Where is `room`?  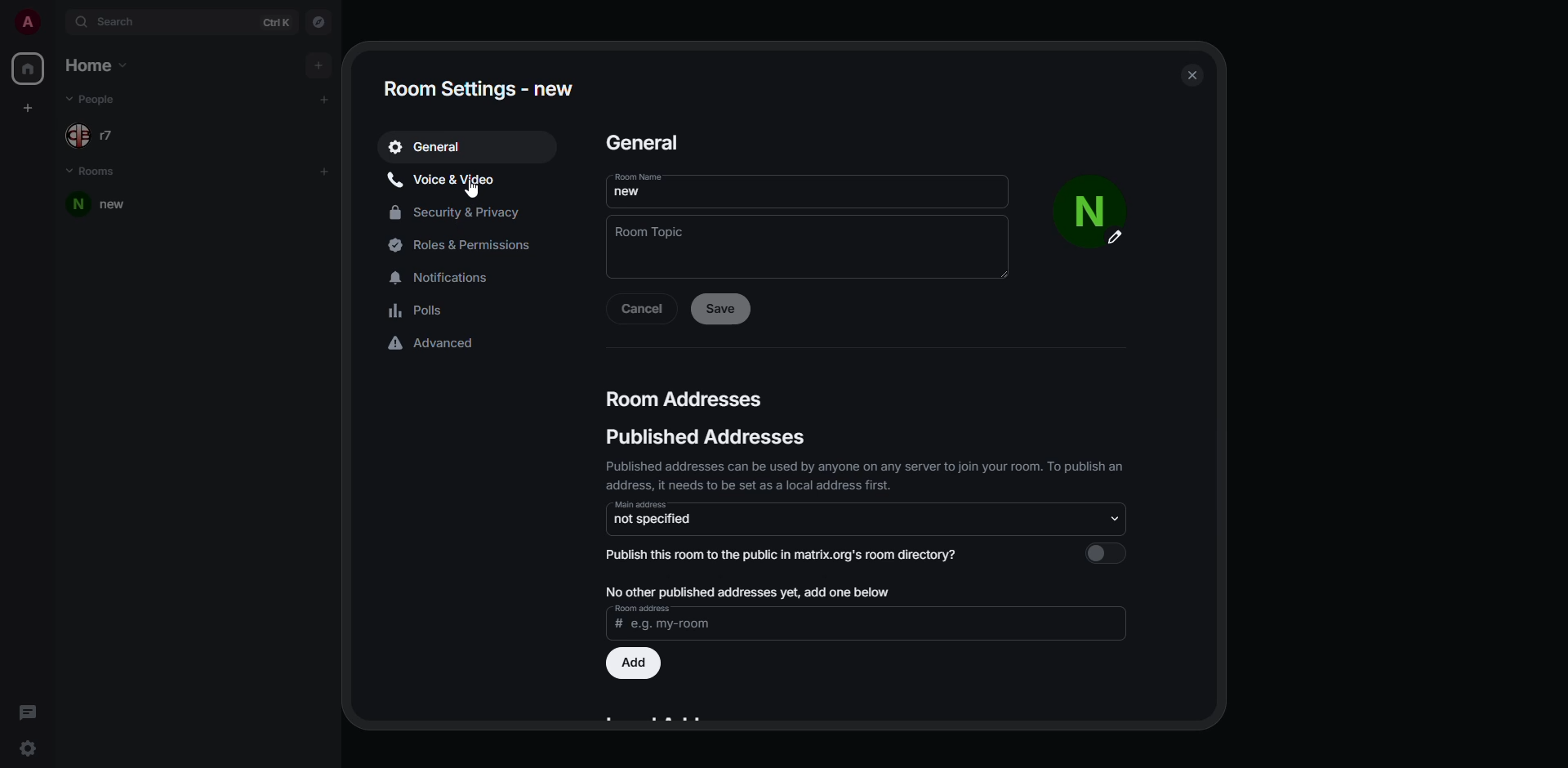
room is located at coordinates (106, 205).